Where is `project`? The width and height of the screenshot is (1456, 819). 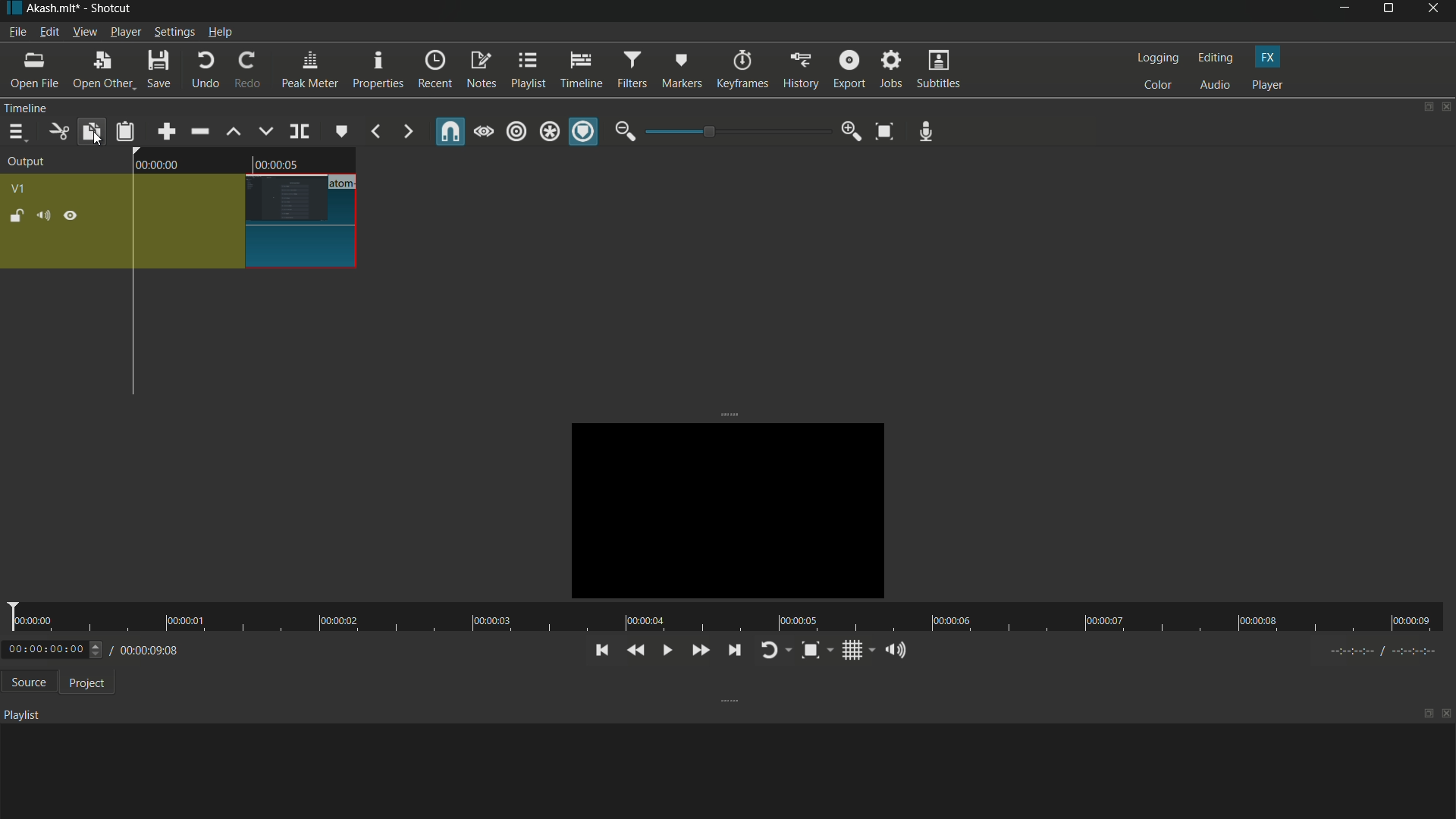
project is located at coordinates (83, 682).